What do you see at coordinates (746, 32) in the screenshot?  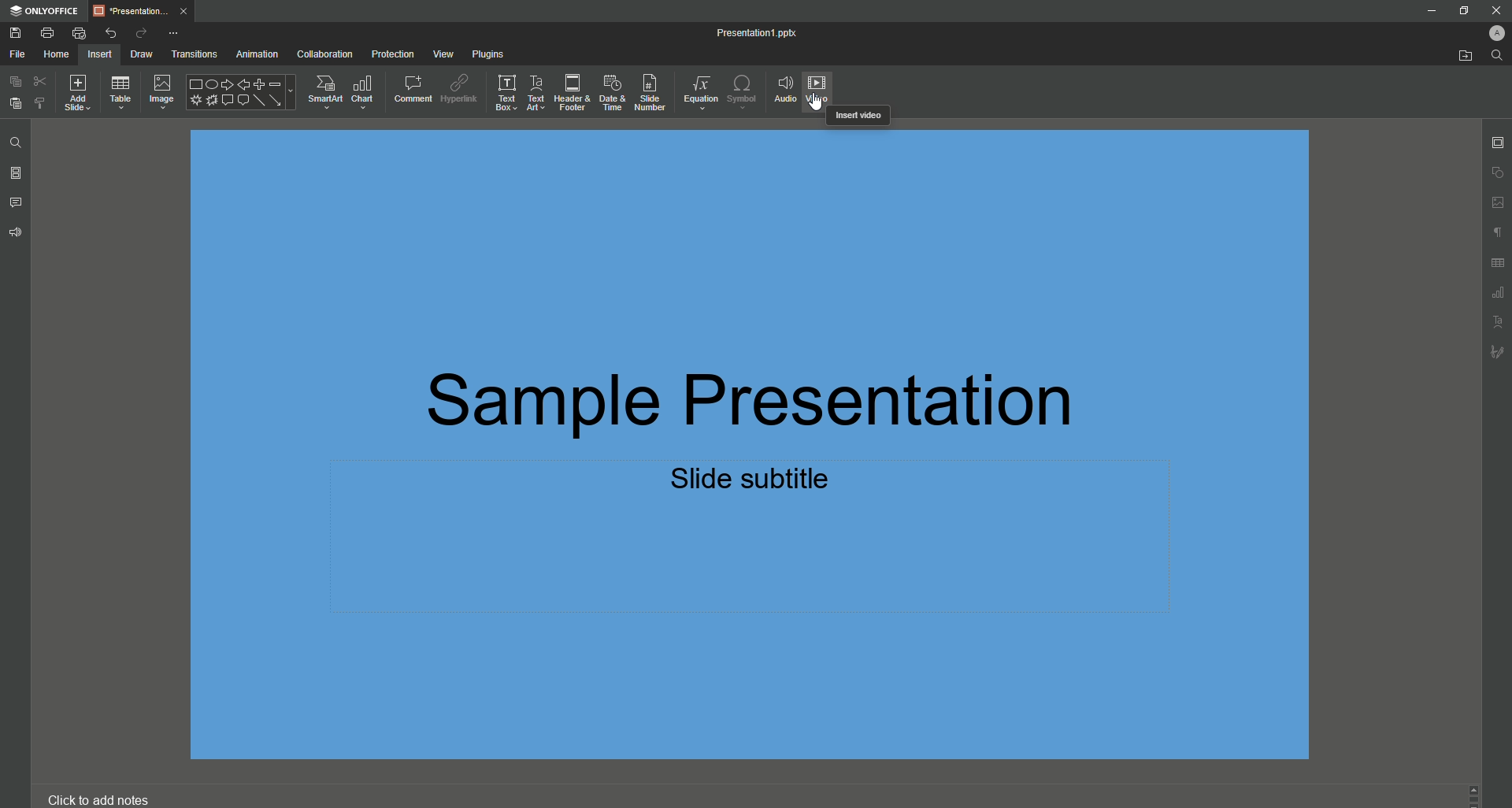 I see `Presentation 1` at bounding box center [746, 32].